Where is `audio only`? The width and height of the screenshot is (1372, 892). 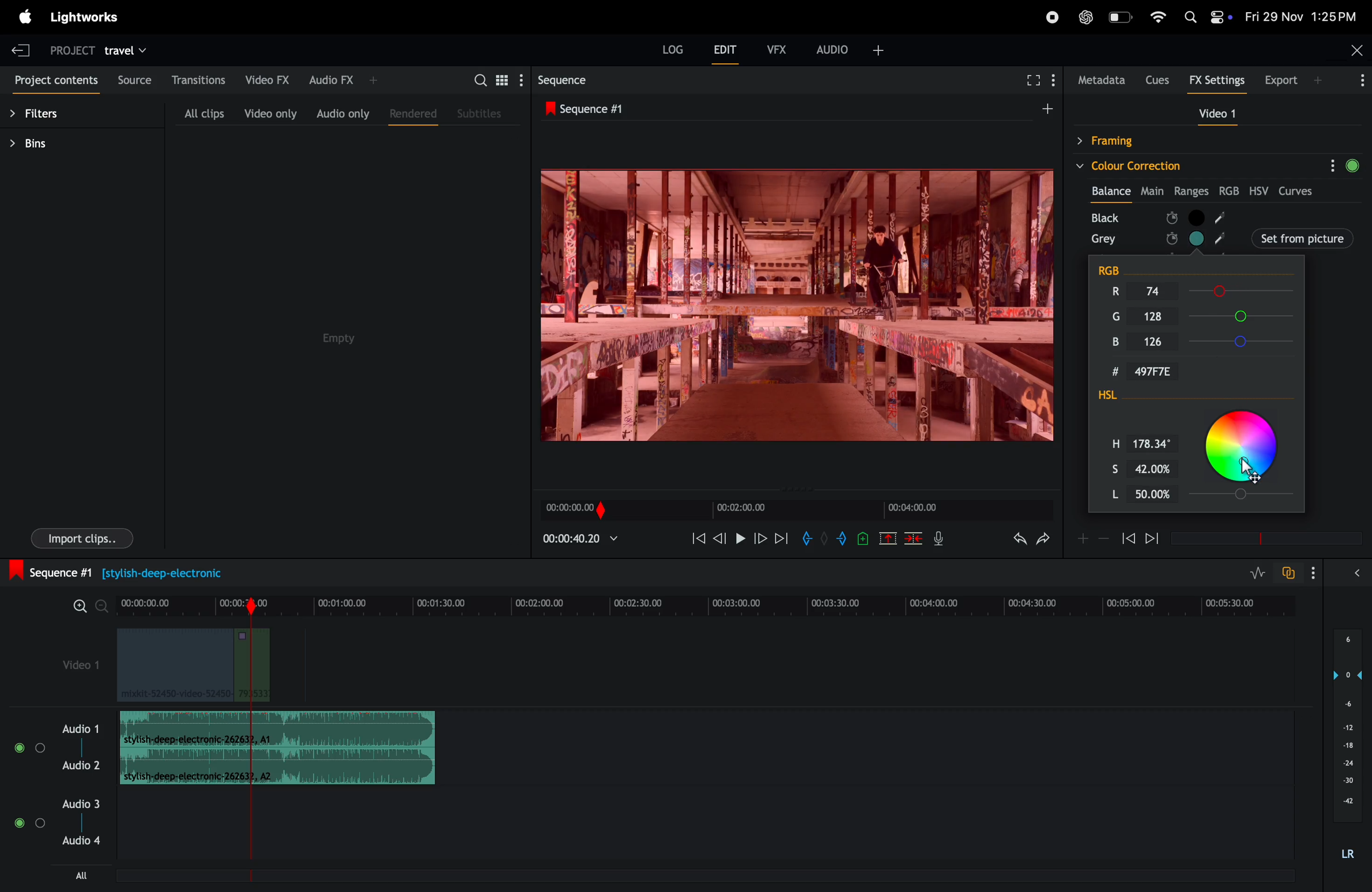
audio only is located at coordinates (341, 112).